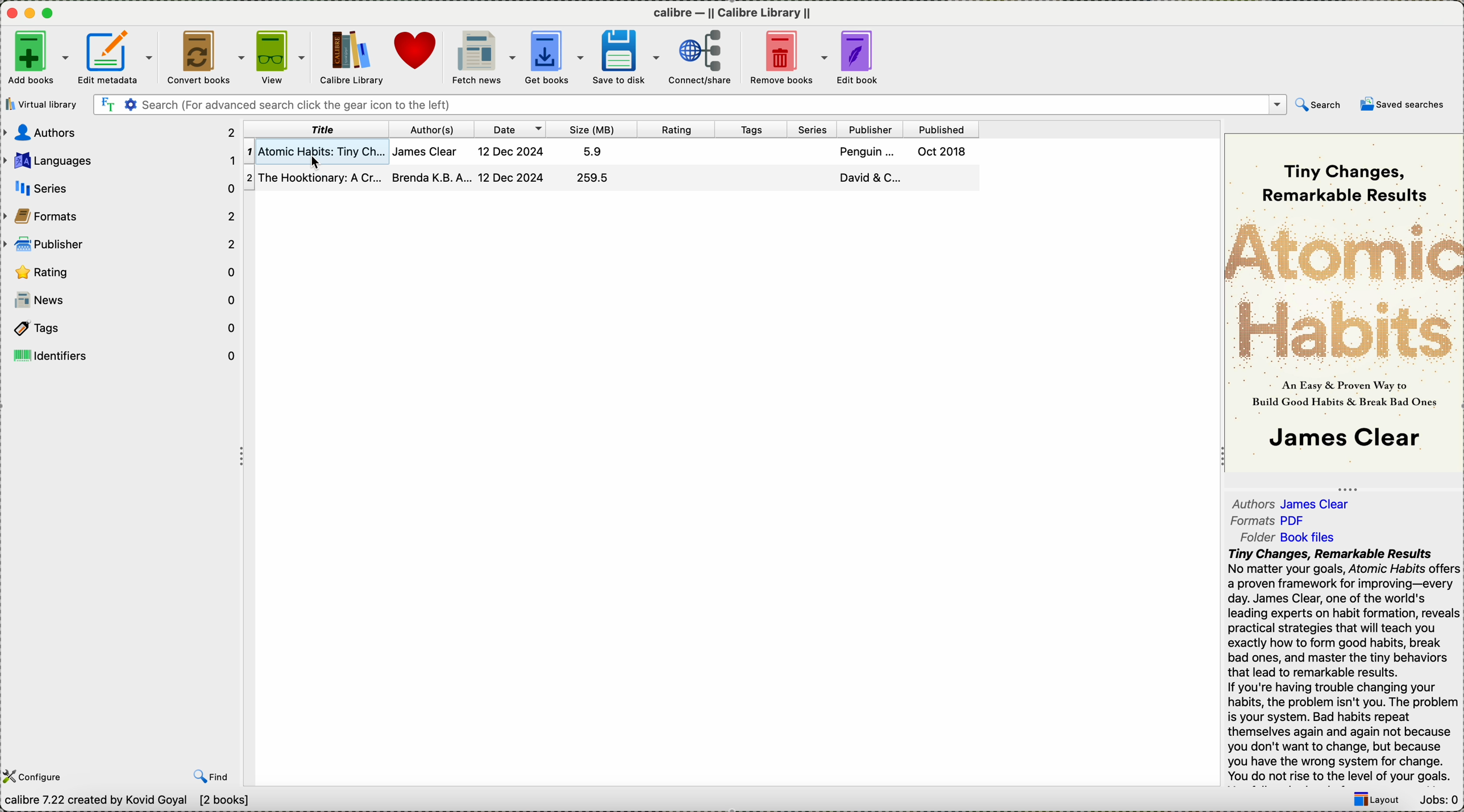 The width and height of the screenshot is (1464, 812). What do you see at coordinates (609, 152) in the screenshot?
I see `Atomic Habits book` at bounding box center [609, 152].